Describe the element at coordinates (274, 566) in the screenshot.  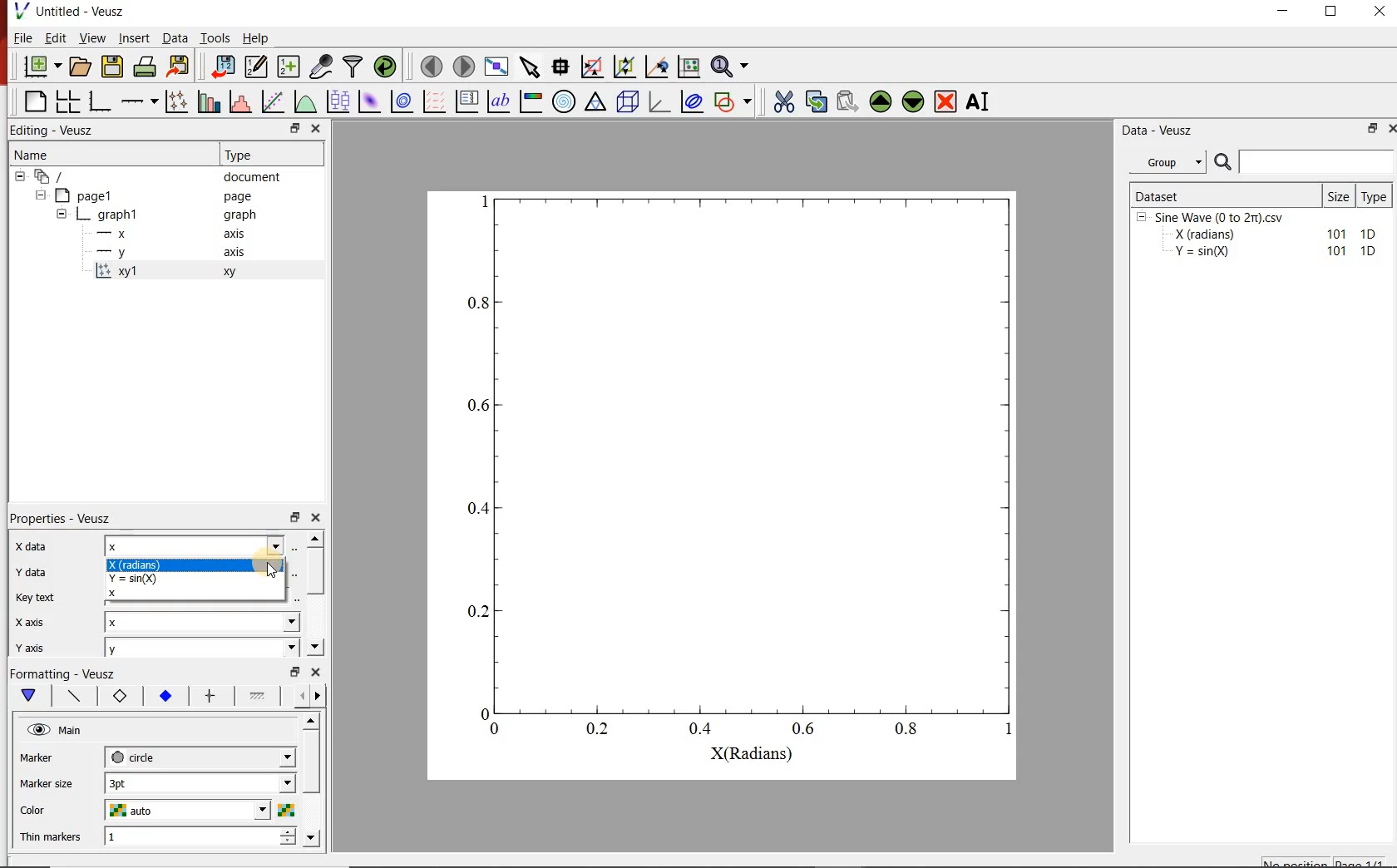
I see `Cursor` at that location.